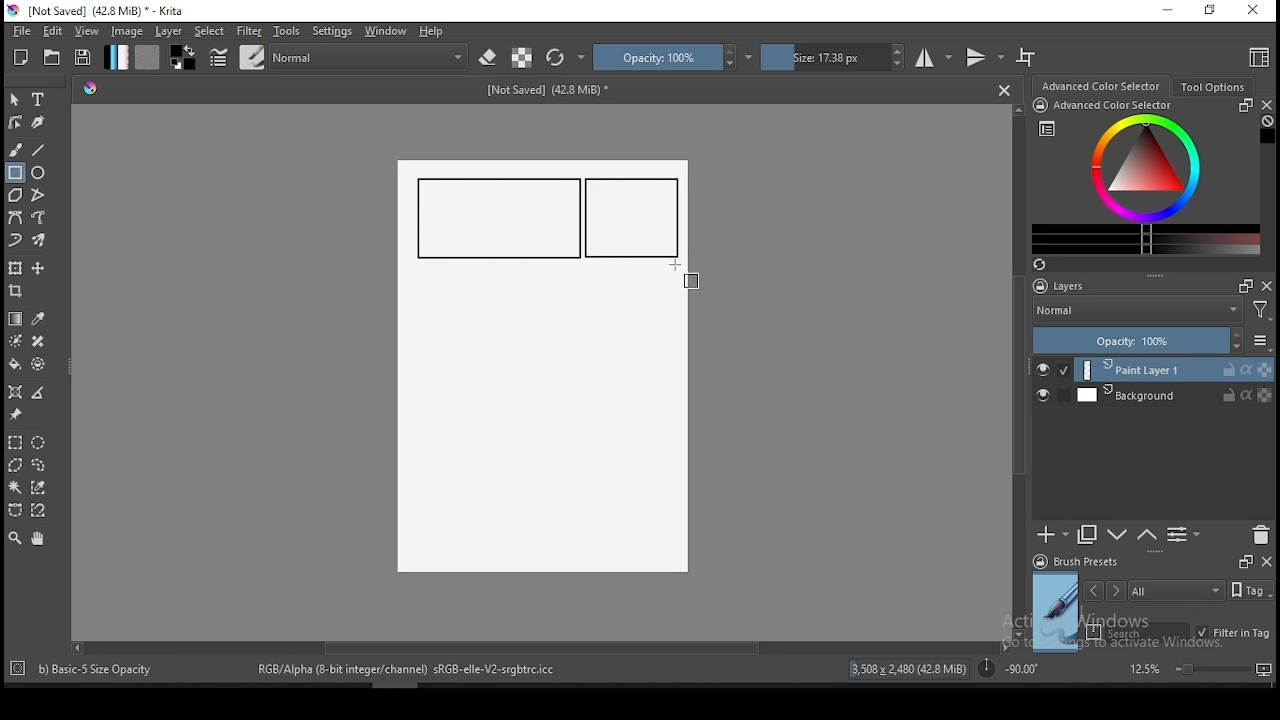 This screenshot has height=720, width=1280. Describe the element at coordinates (985, 55) in the screenshot. I see `` at that location.